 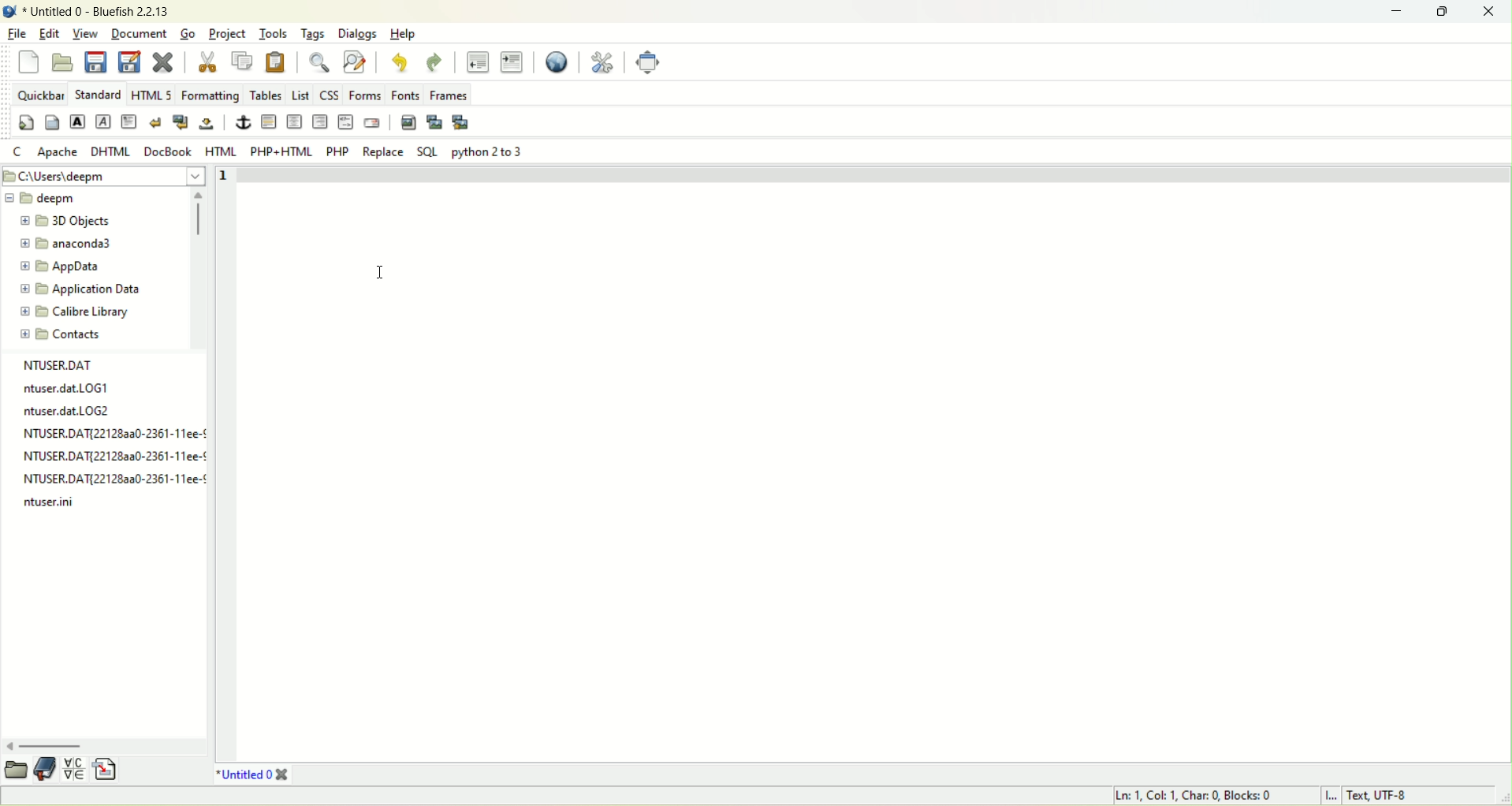 What do you see at coordinates (59, 364) in the screenshot?
I see `NTUSER.DAT` at bounding box center [59, 364].